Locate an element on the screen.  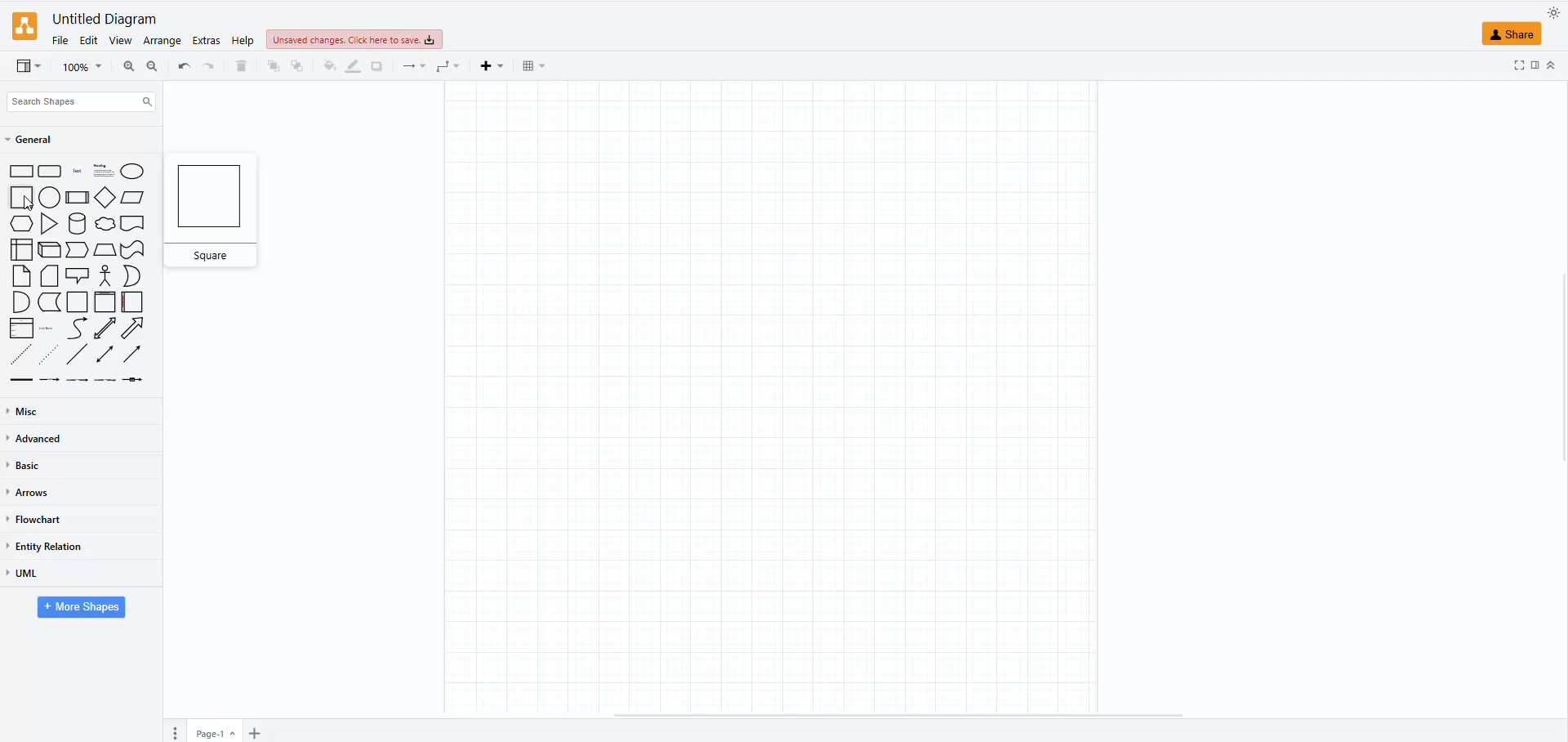
Or is located at coordinates (132, 275).